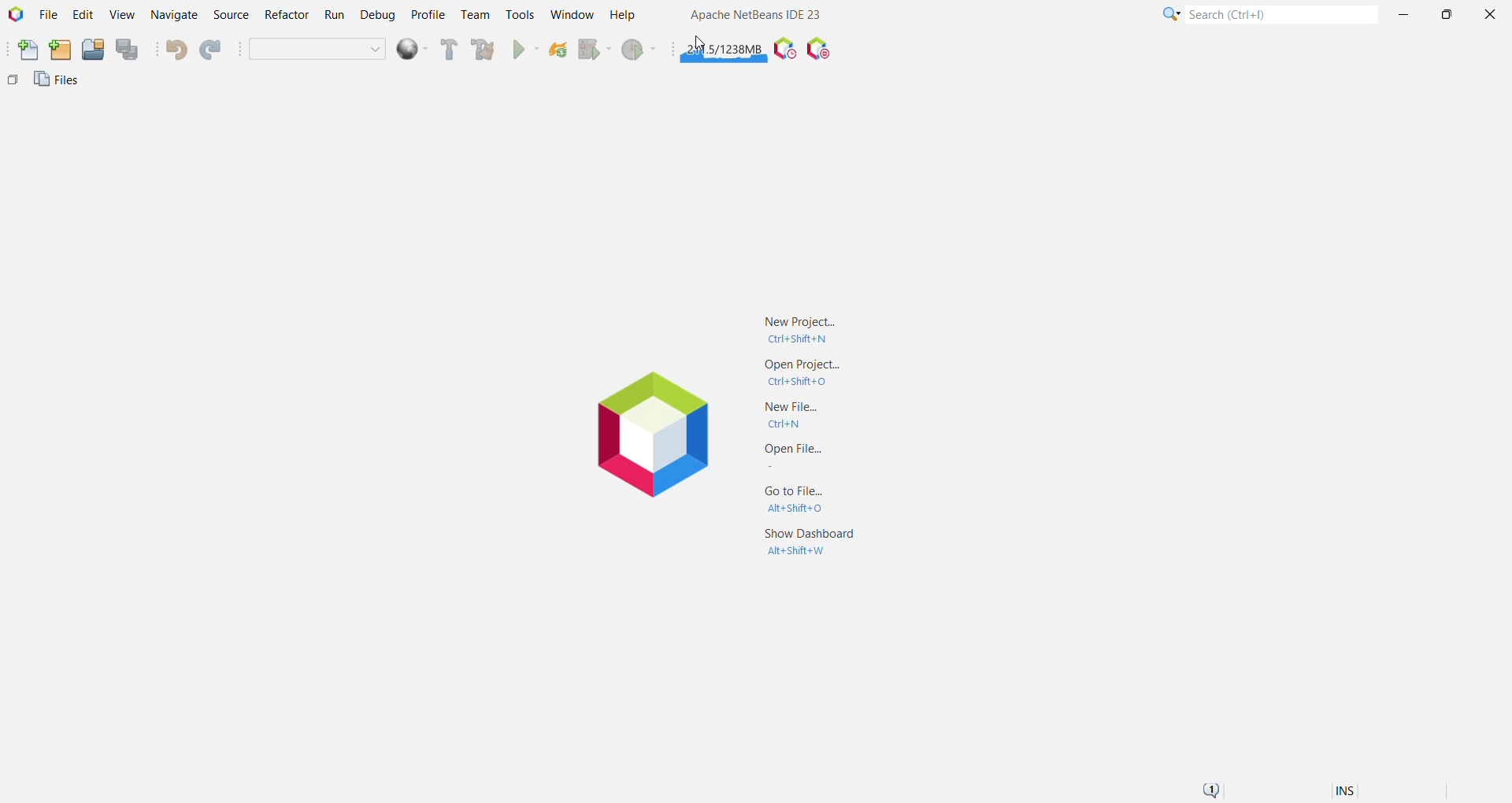 This screenshot has height=803, width=1512. What do you see at coordinates (233, 15) in the screenshot?
I see `Source` at bounding box center [233, 15].